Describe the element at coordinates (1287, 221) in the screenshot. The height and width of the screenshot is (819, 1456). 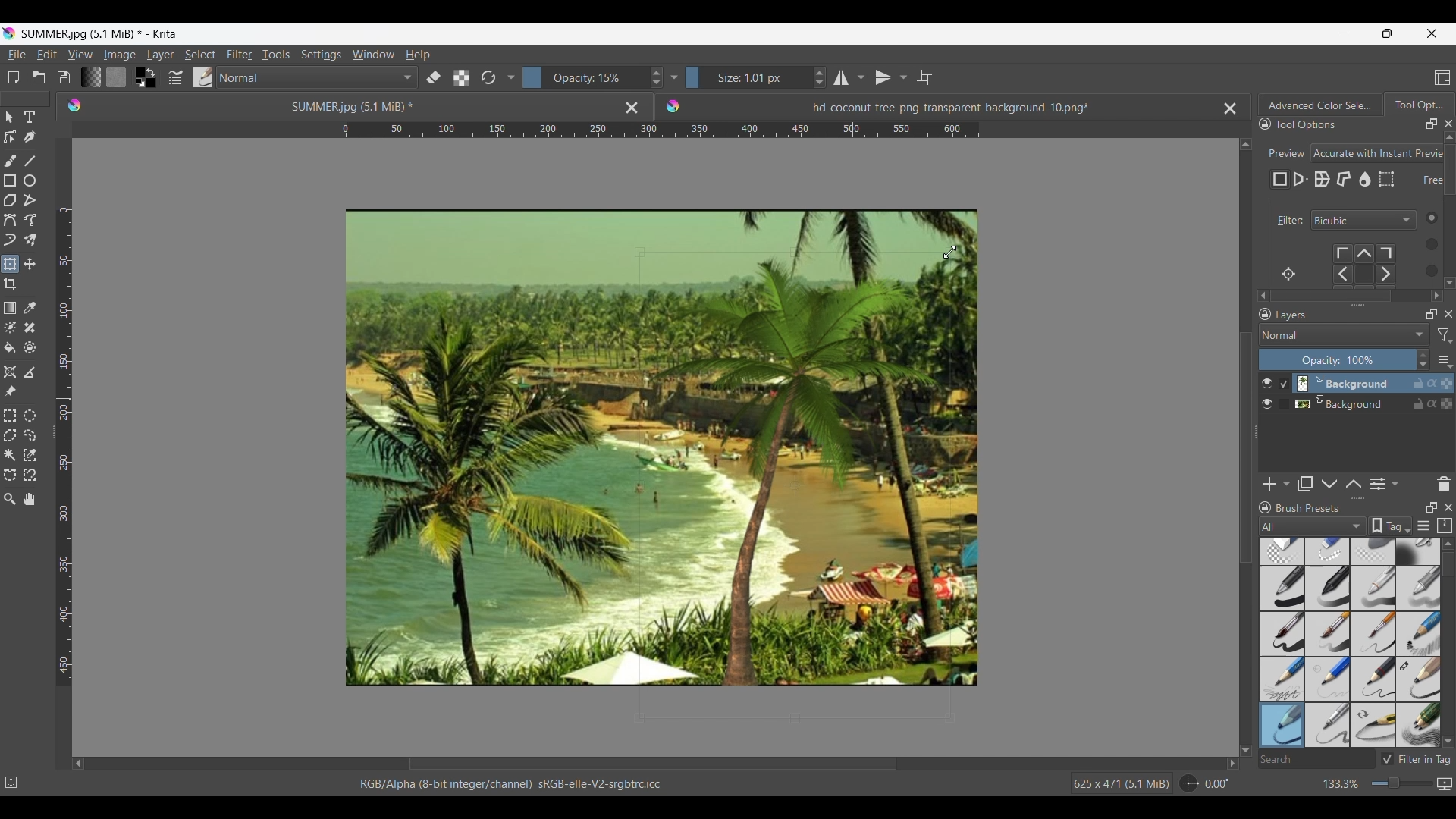
I see `Filter` at that location.